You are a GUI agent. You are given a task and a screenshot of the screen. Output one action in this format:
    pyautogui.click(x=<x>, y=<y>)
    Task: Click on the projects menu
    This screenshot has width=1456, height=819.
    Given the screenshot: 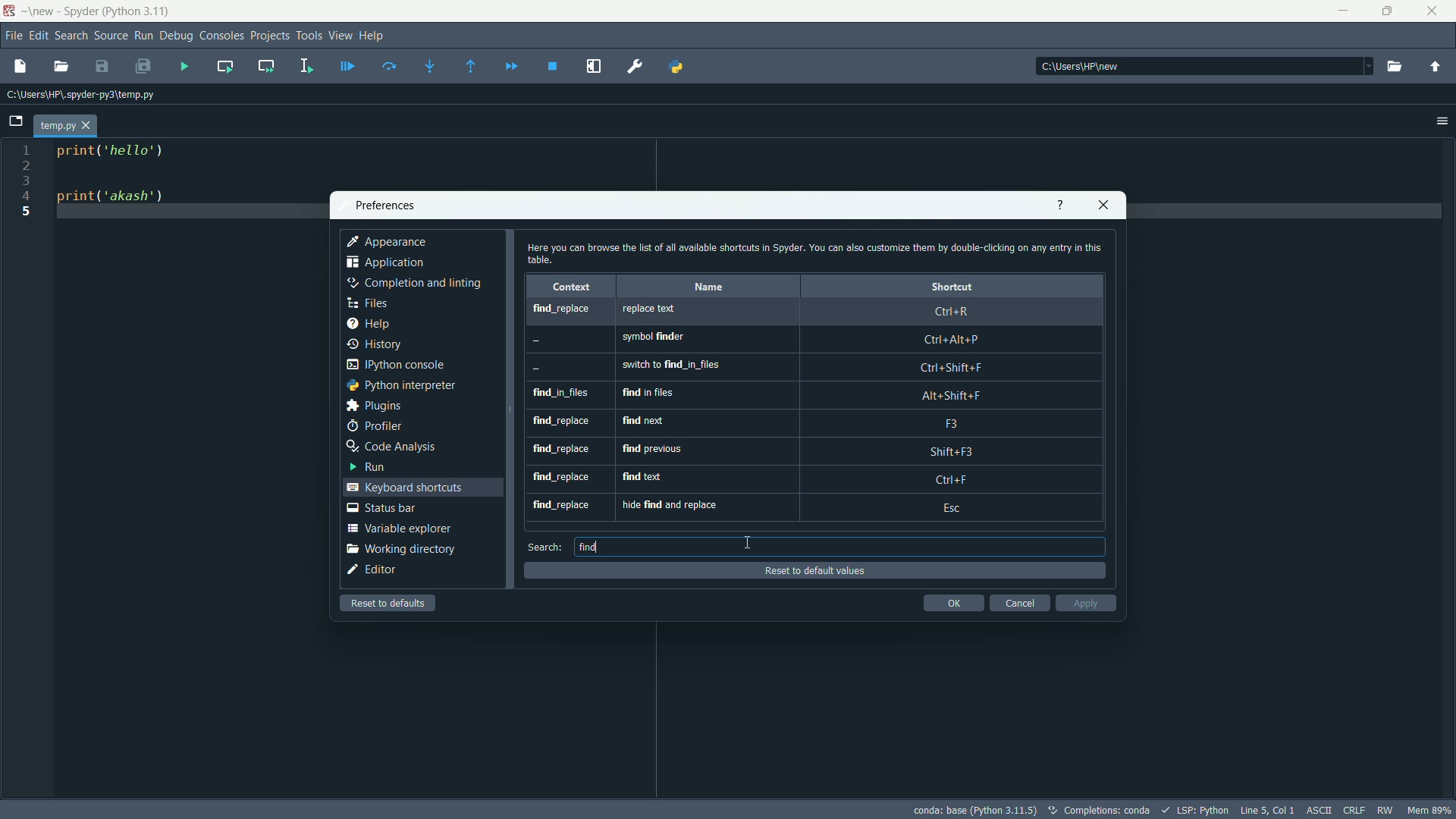 What is the action you would take?
    pyautogui.click(x=268, y=35)
    